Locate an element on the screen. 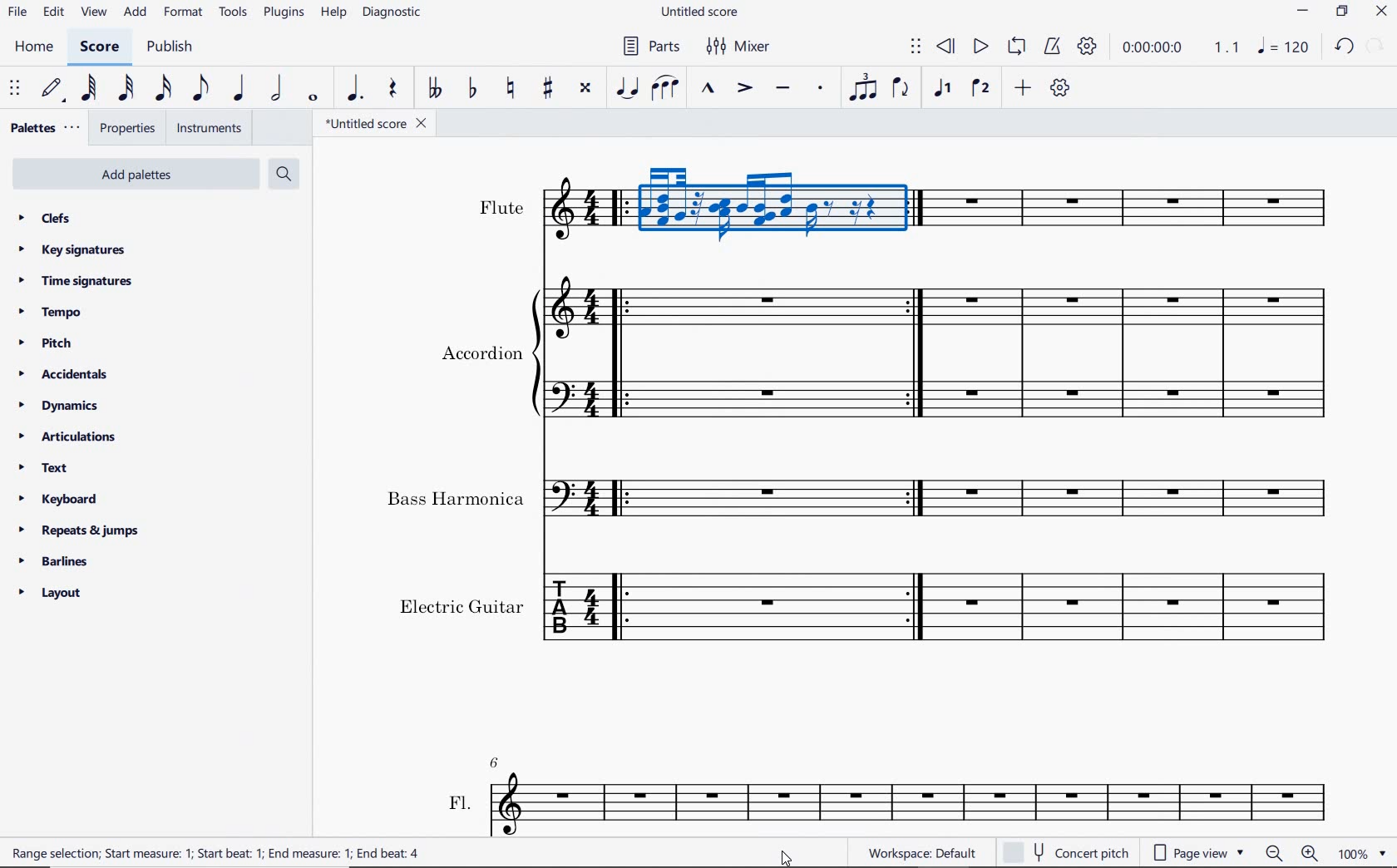 This screenshot has height=868, width=1397. CLOSE is located at coordinates (1381, 12).